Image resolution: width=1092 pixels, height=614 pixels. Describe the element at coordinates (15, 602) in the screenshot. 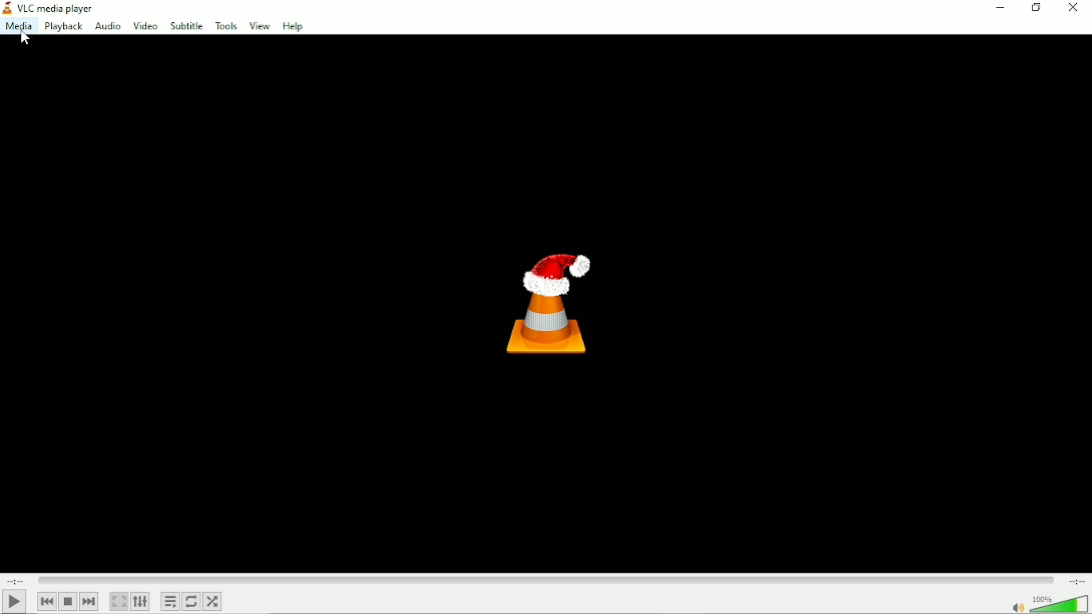

I see `Play` at that location.